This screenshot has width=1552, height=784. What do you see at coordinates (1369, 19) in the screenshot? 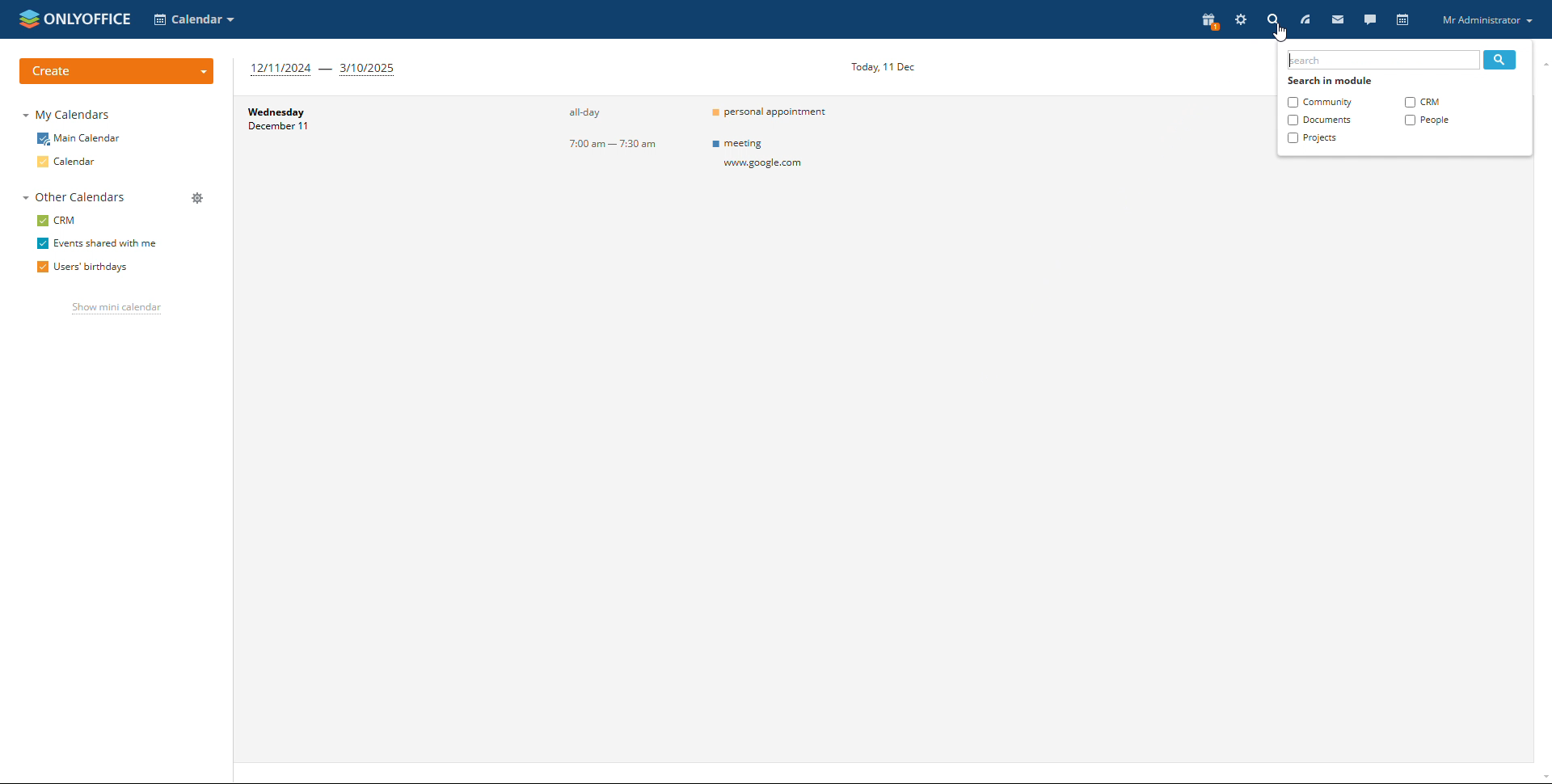
I see `talk` at bounding box center [1369, 19].